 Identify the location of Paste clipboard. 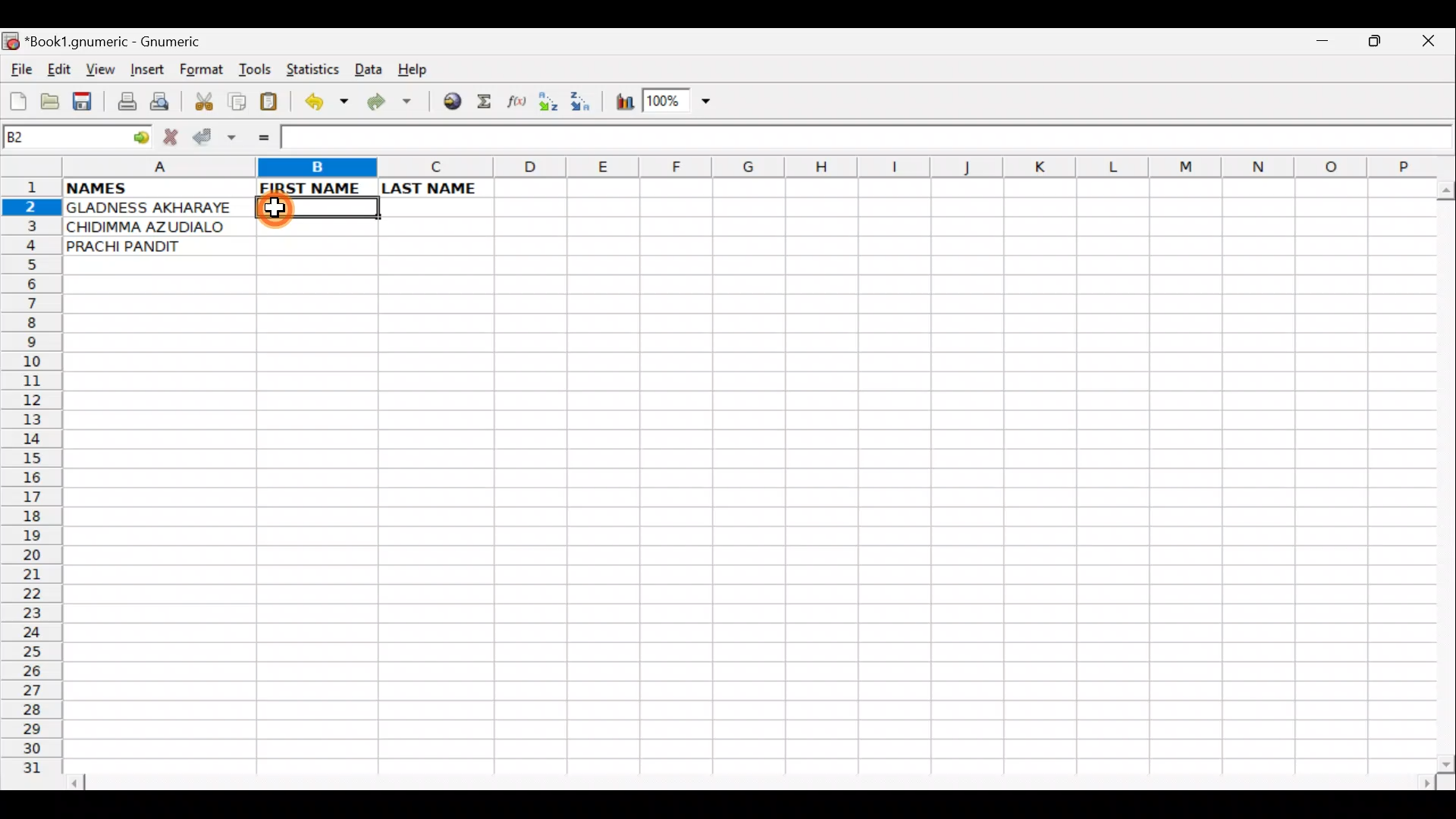
(274, 104).